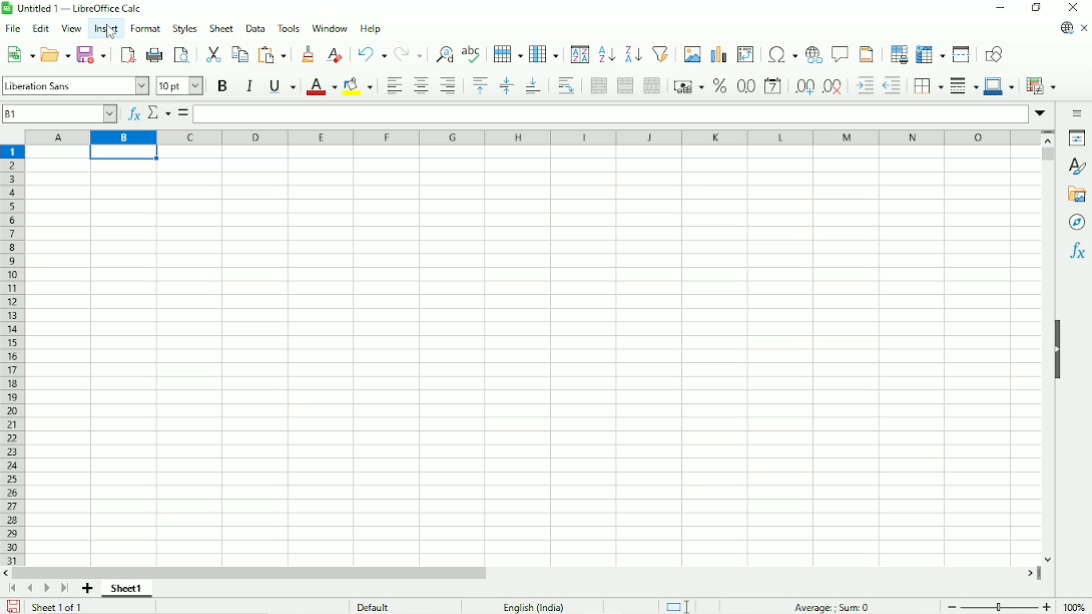 The height and width of the screenshot is (614, 1092). I want to click on Navigator, so click(1077, 223).